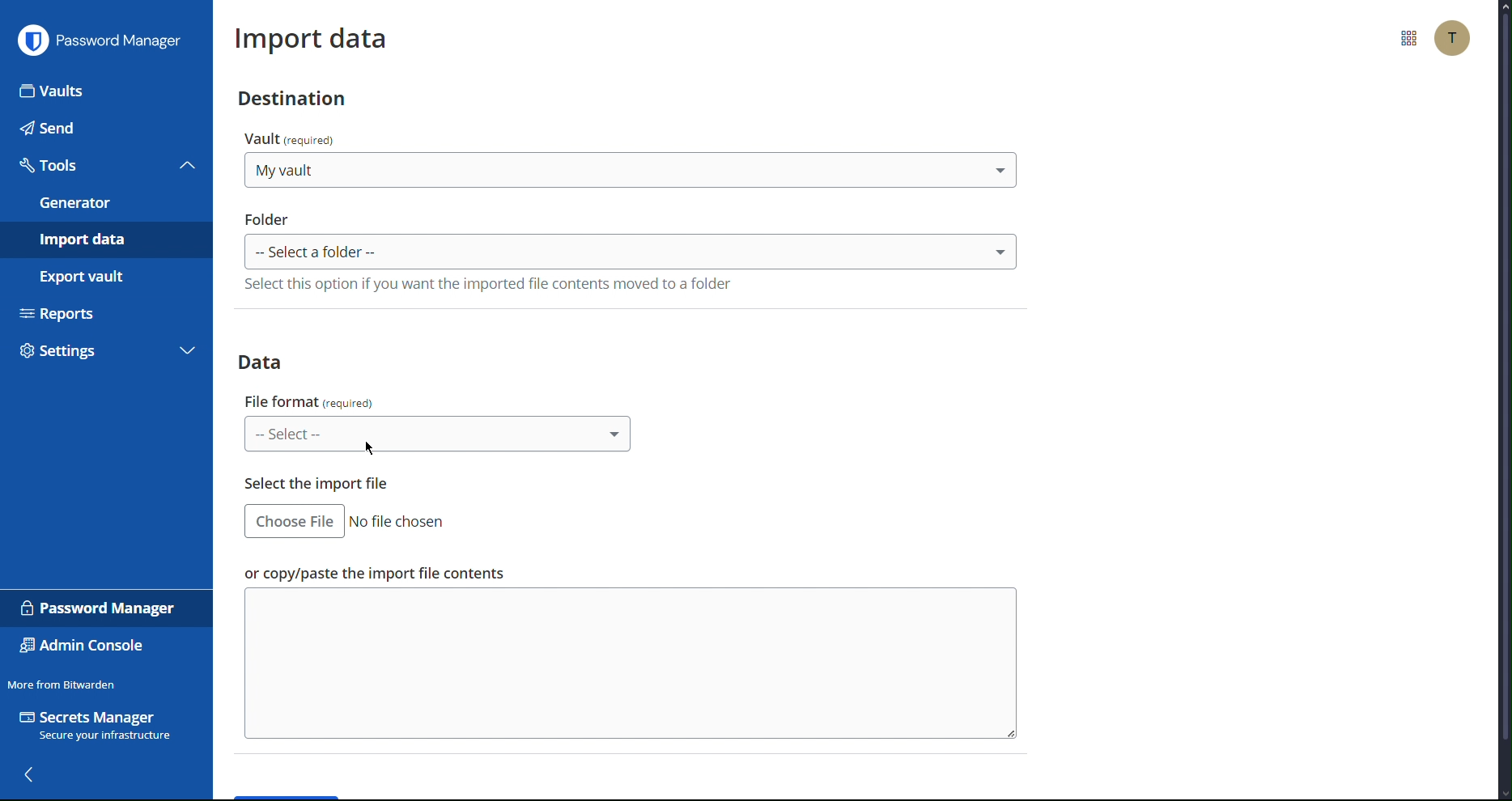  Describe the element at coordinates (100, 276) in the screenshot. I see `Export vault` at that location.